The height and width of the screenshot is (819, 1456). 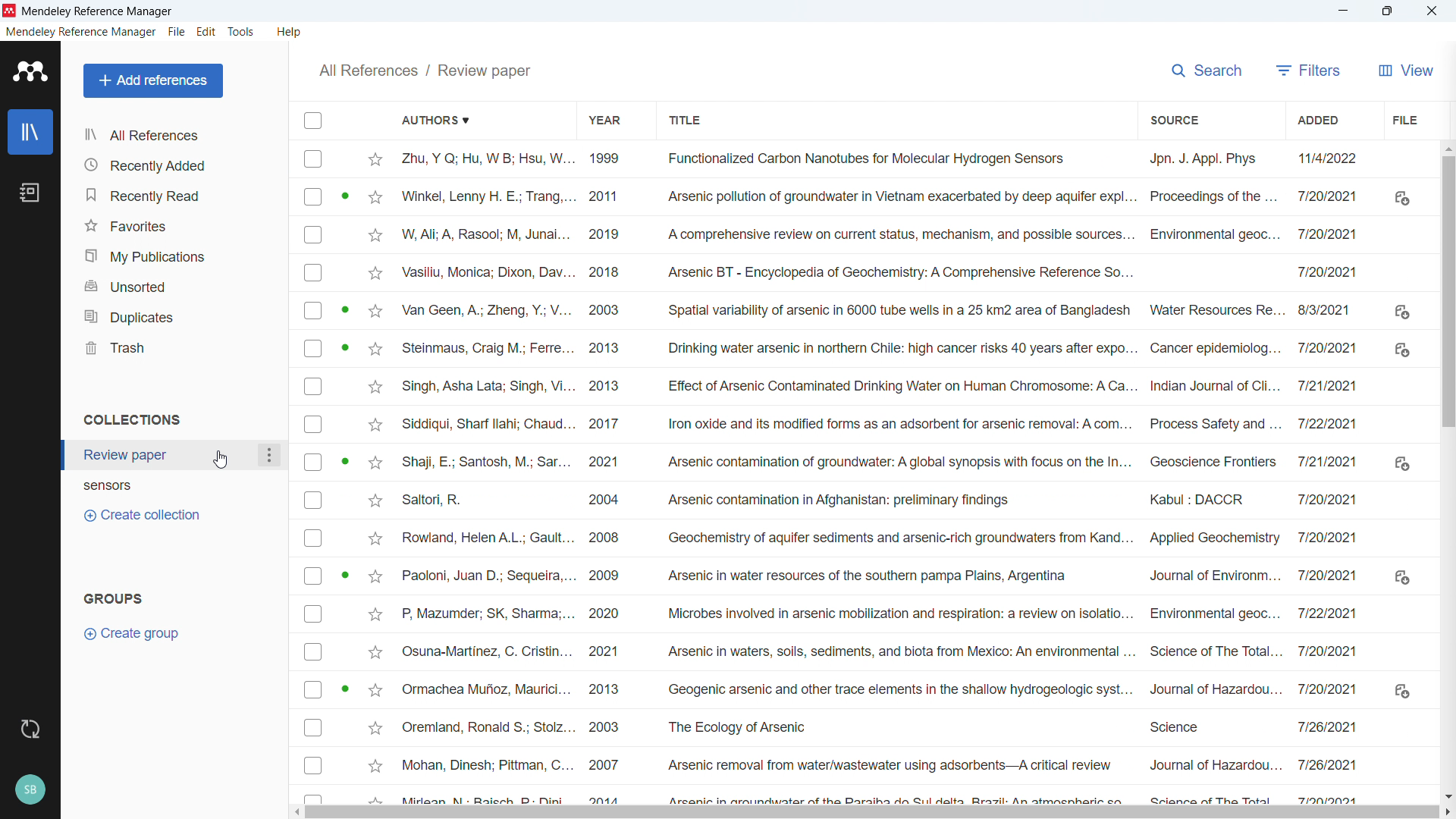 I want to click on sync , so click(x=31, y=729).